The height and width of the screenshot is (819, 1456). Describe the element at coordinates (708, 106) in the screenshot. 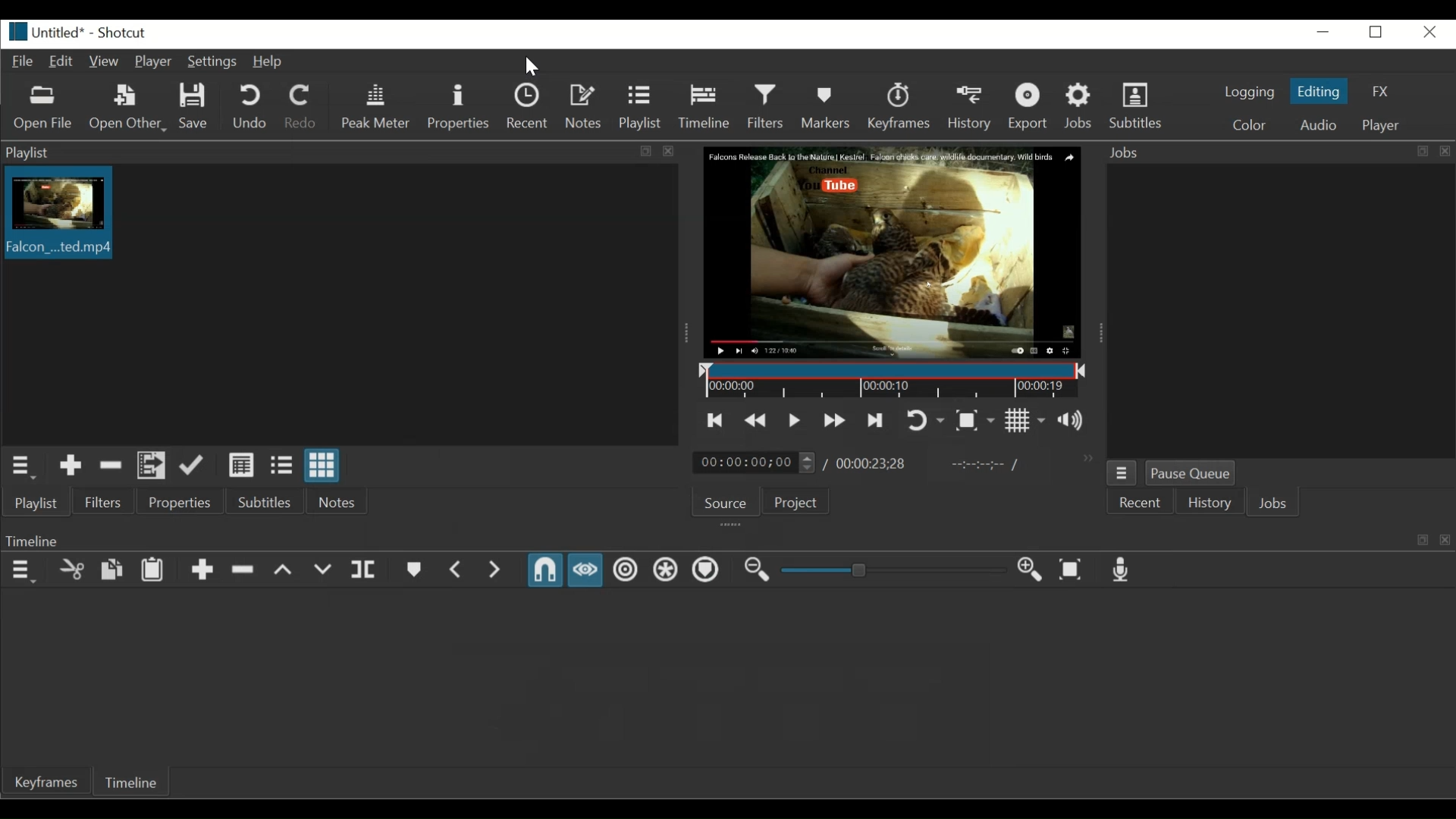

I see `Timeline` at that location.